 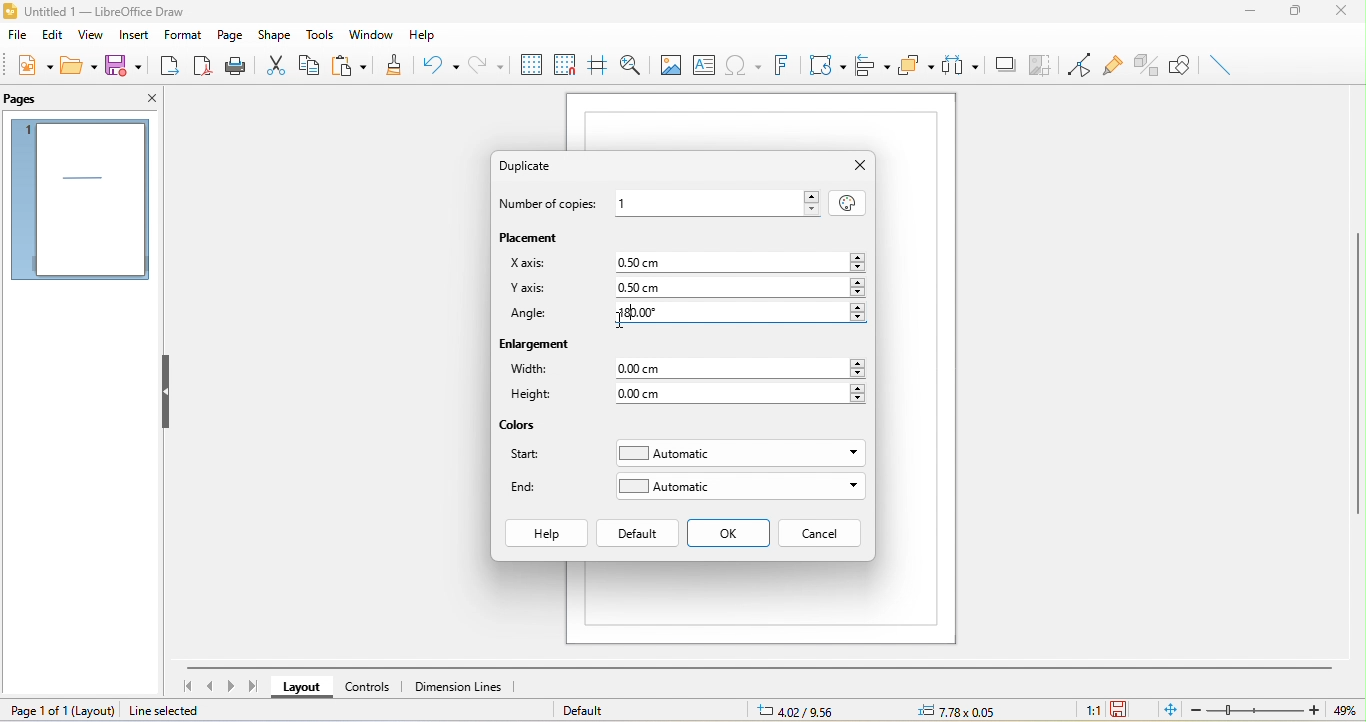 What do you see at coordinates (487, 63) in the screenshot?
I see `redo` at bounding box center [487, 63].